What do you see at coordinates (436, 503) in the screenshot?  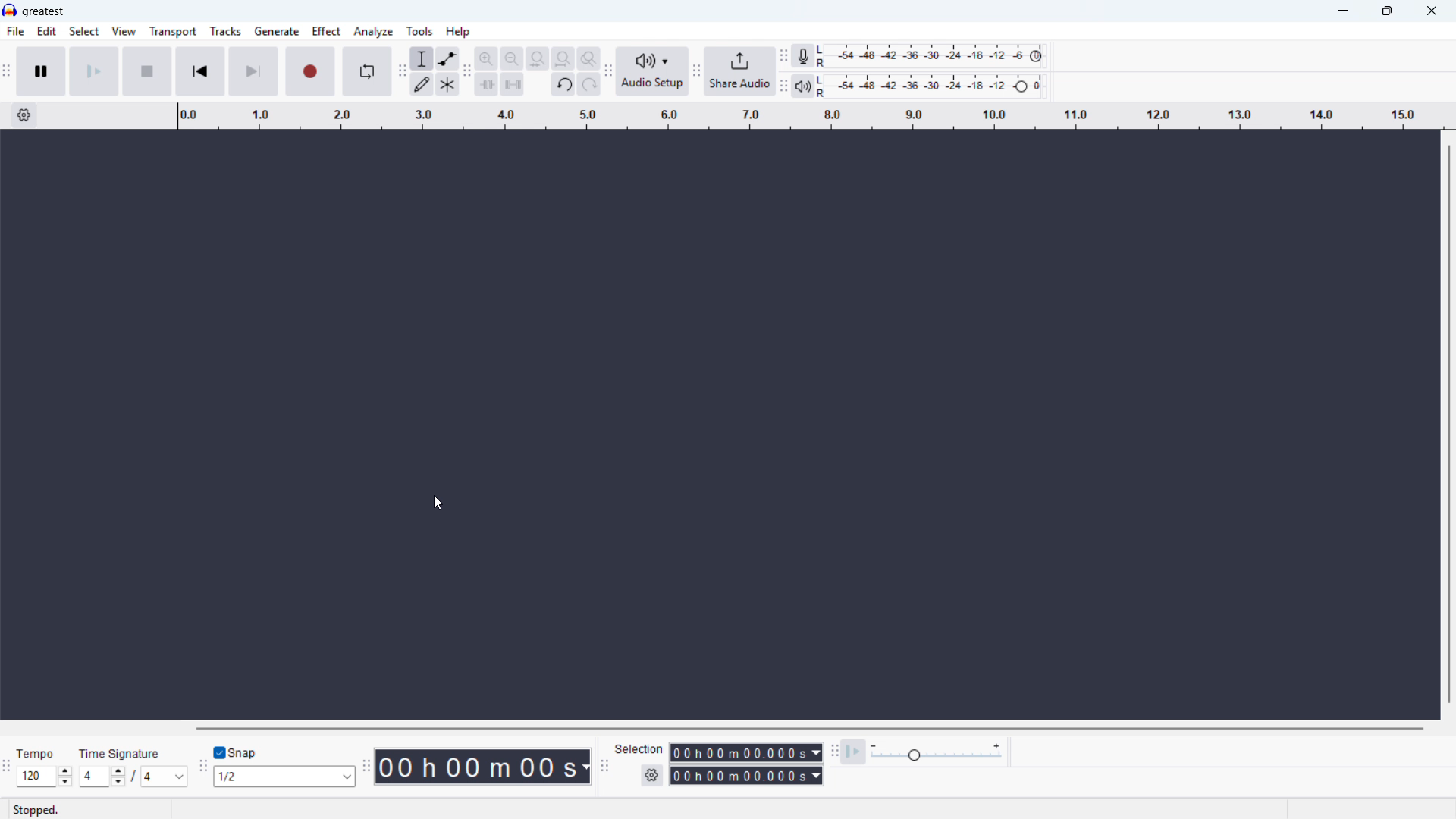 I see `Cursor ` at bounding box center [436, 503].